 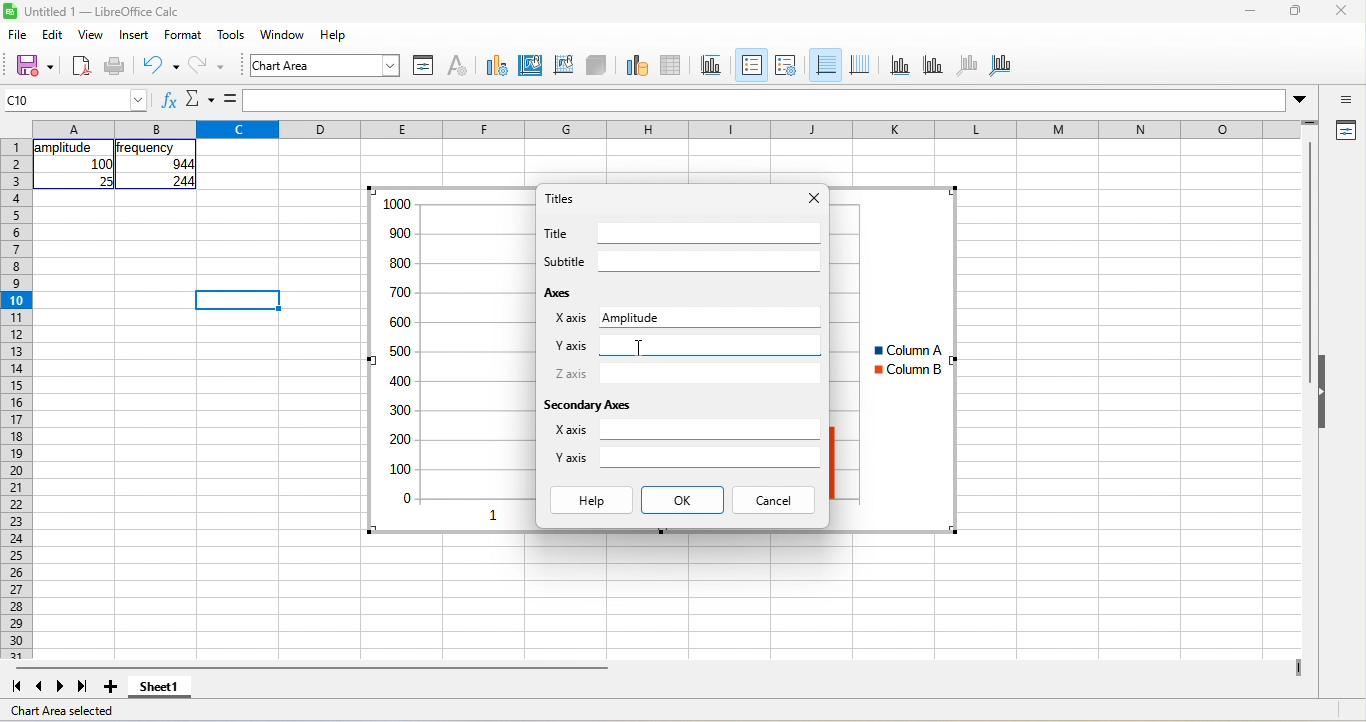 What do you see at coordinates (103, 12) in the screenshot?
I see `Untitled 1 — LibreOffice Calc` at bounding box center [103, 12].